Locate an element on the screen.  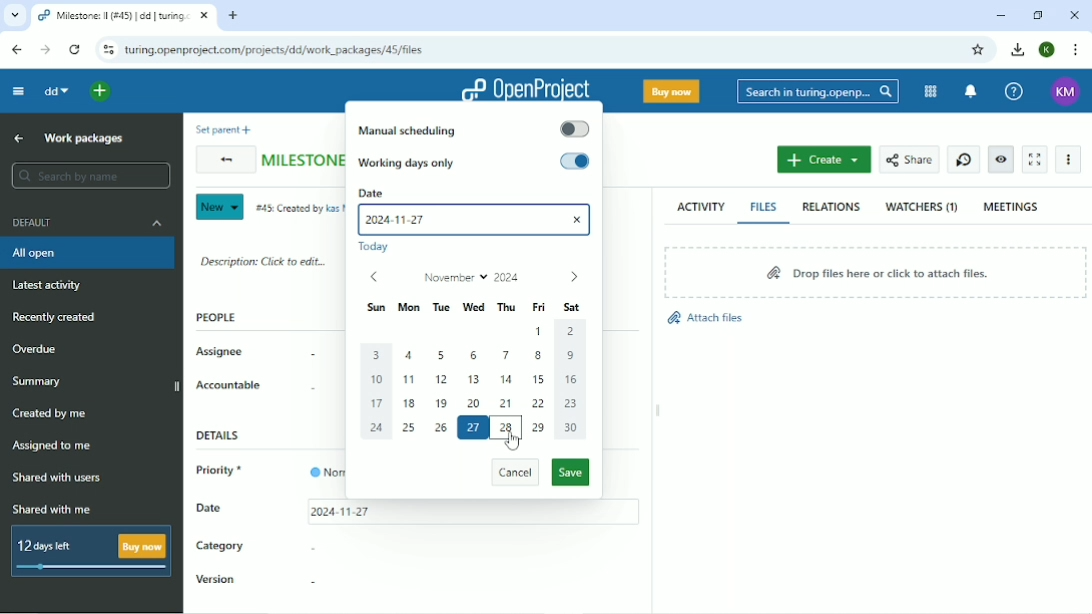
Current tab is located at coordinates (122, 16).